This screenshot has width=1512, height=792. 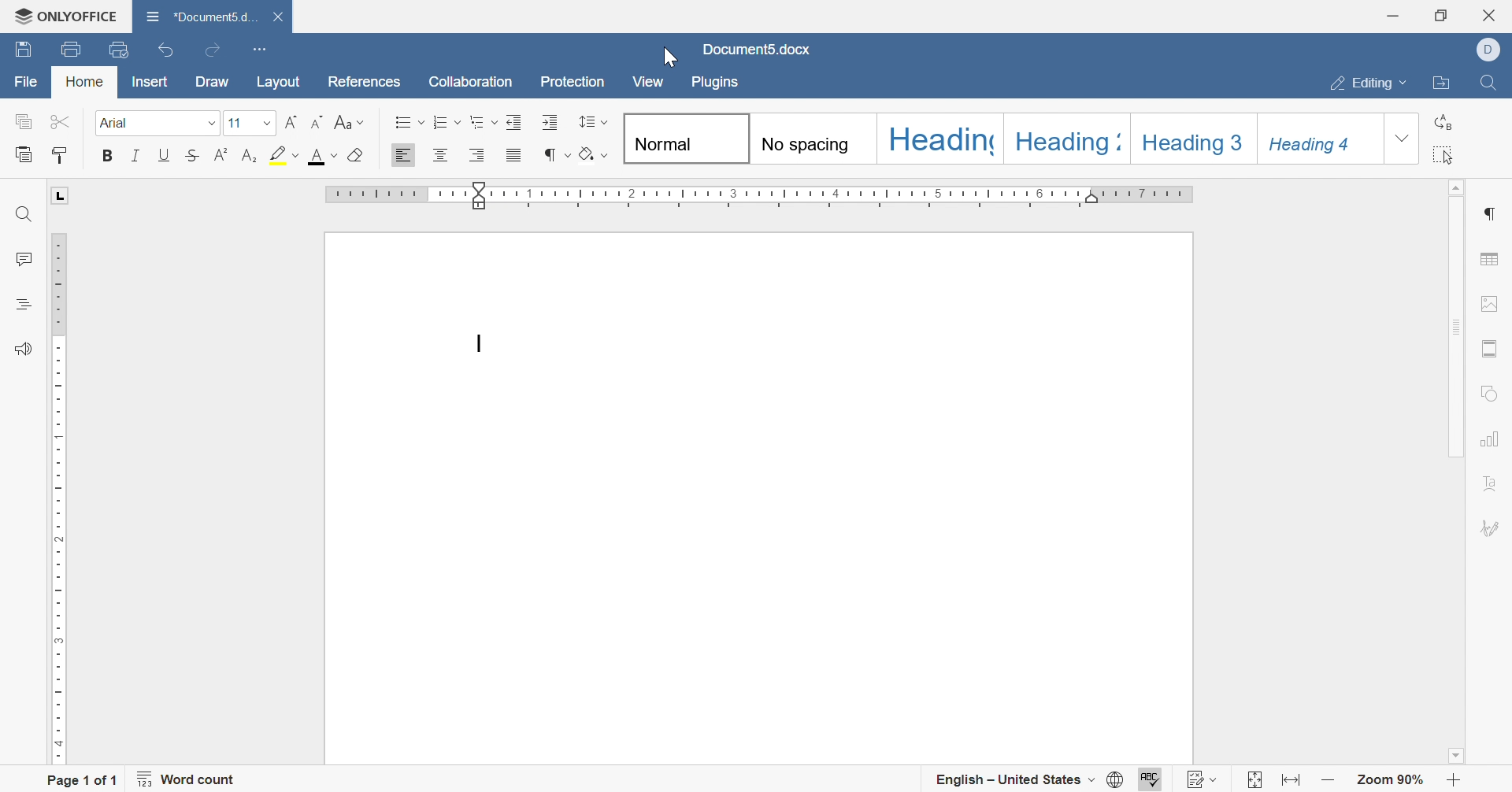 I want to click on chart settings, so click(x=1494, y=440).